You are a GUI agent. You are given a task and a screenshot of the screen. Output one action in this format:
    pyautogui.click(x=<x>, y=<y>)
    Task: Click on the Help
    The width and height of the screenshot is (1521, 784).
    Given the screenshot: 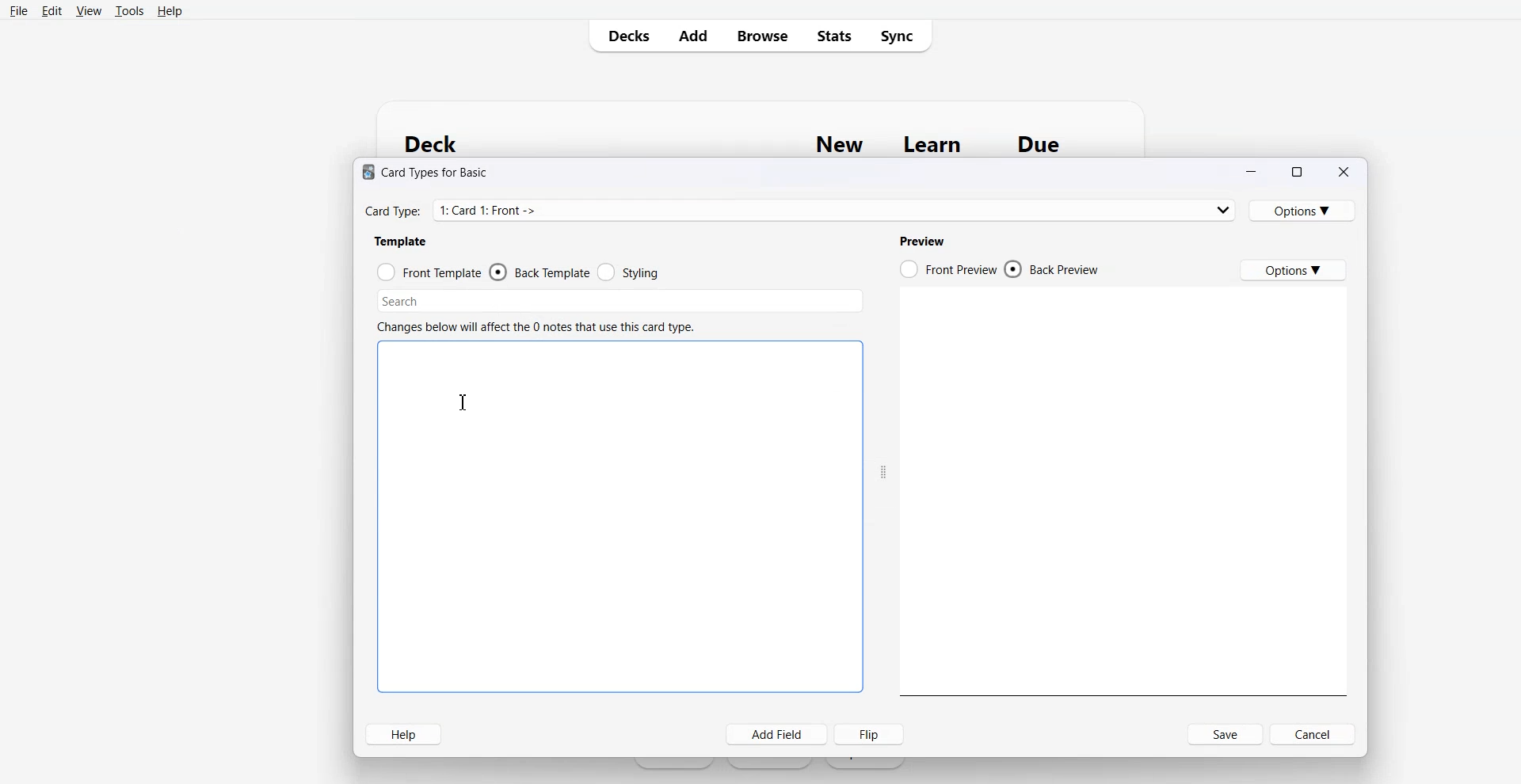 What is the action you would take?
    pyautogui.click(x=169, y=11)
    